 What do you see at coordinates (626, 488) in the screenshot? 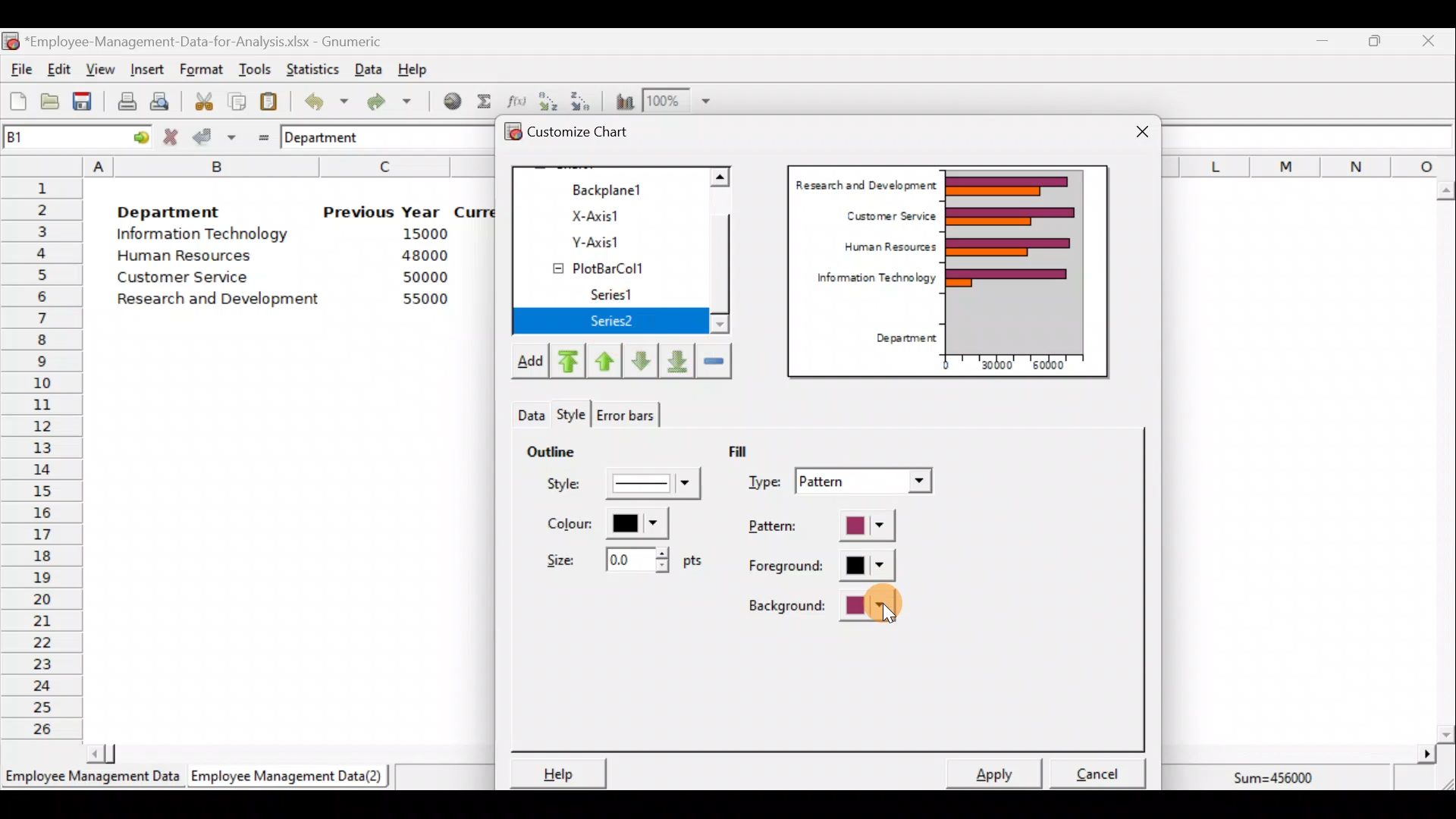
I see `Style` at bounding box center [626, 488].